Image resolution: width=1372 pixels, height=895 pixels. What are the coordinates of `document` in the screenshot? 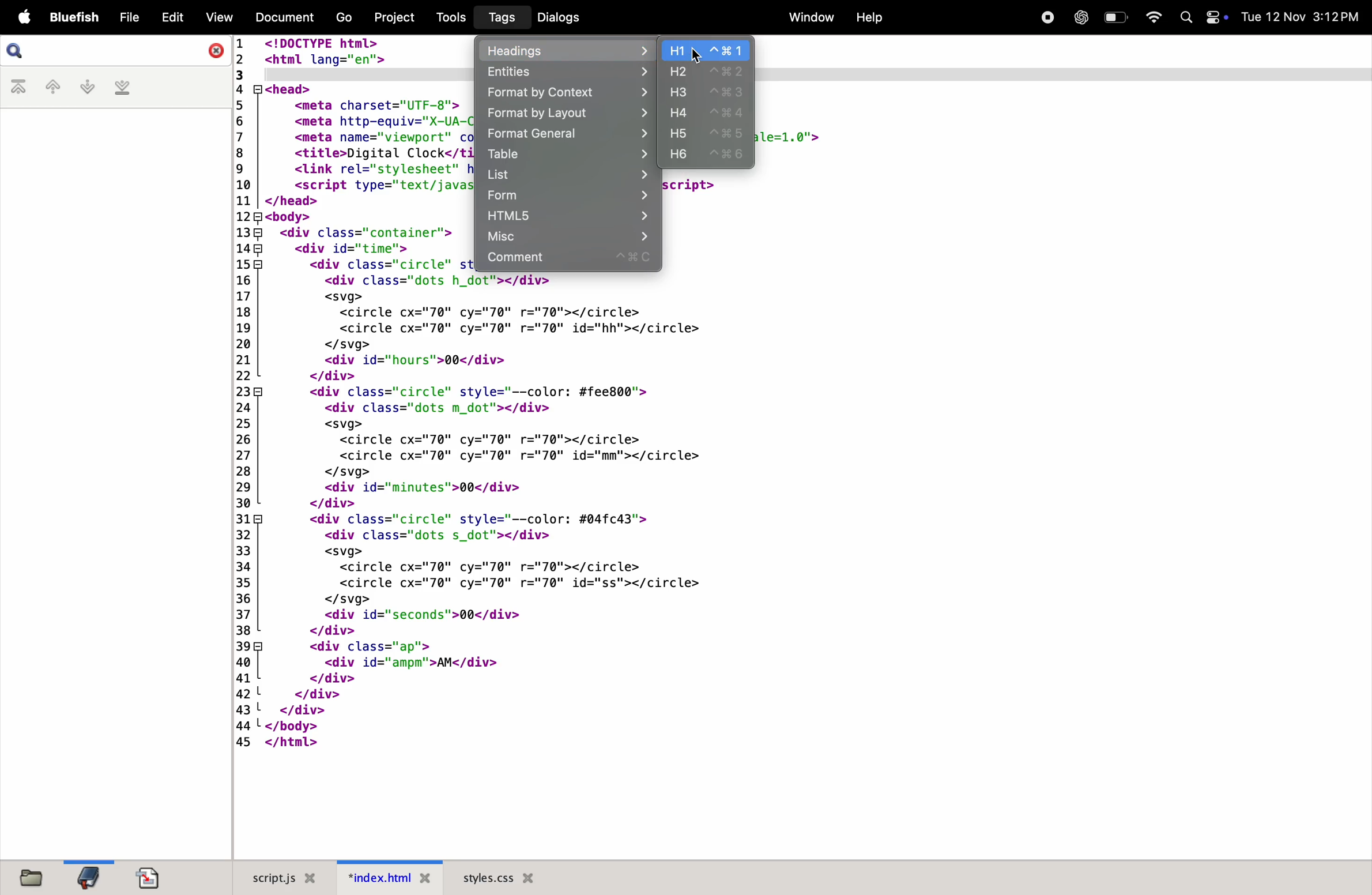 It's located at (149, 878).